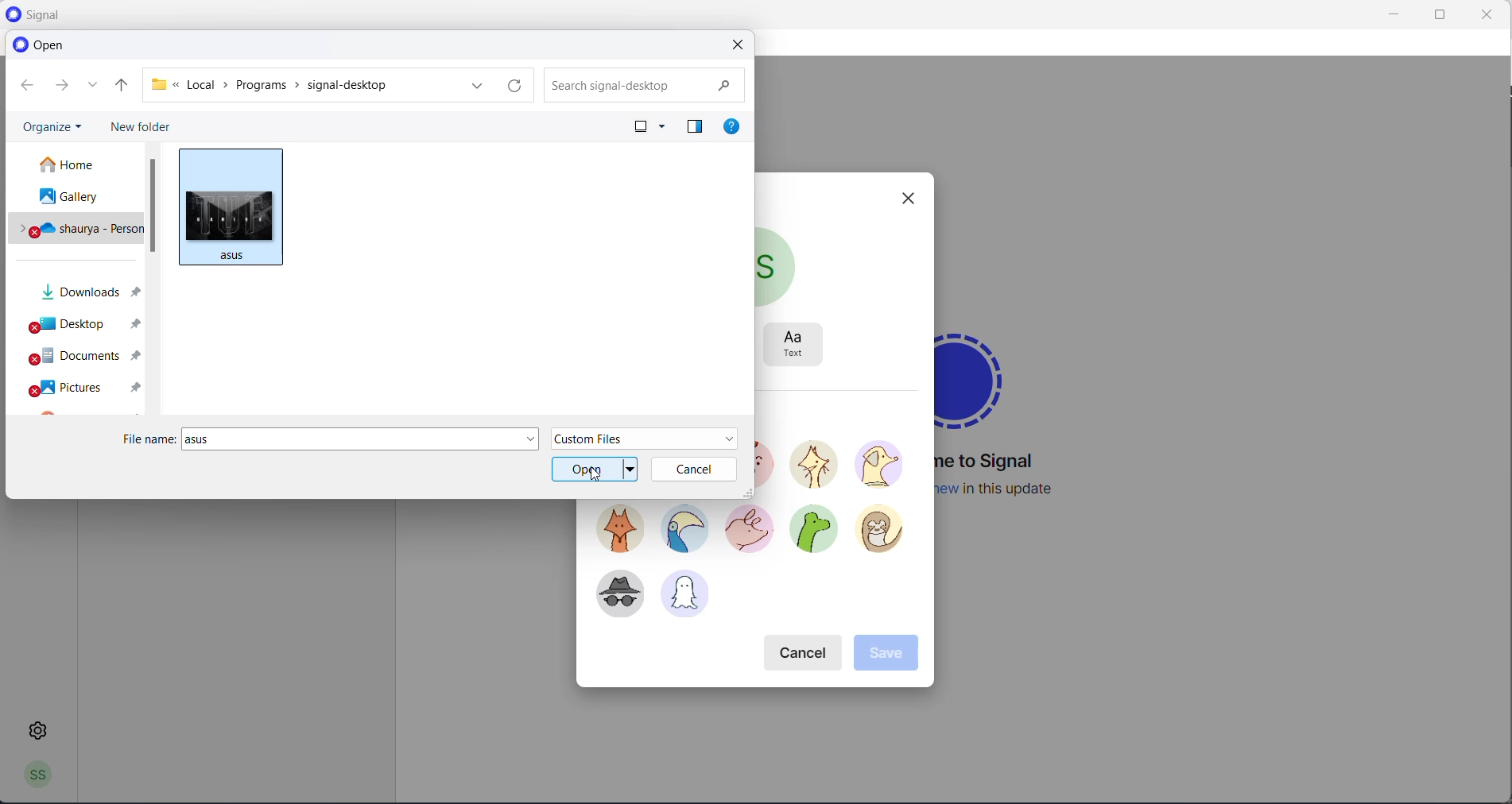 The height and width of the screenshot is (804, 1512). I want to click on avatar, so click(618, 595).